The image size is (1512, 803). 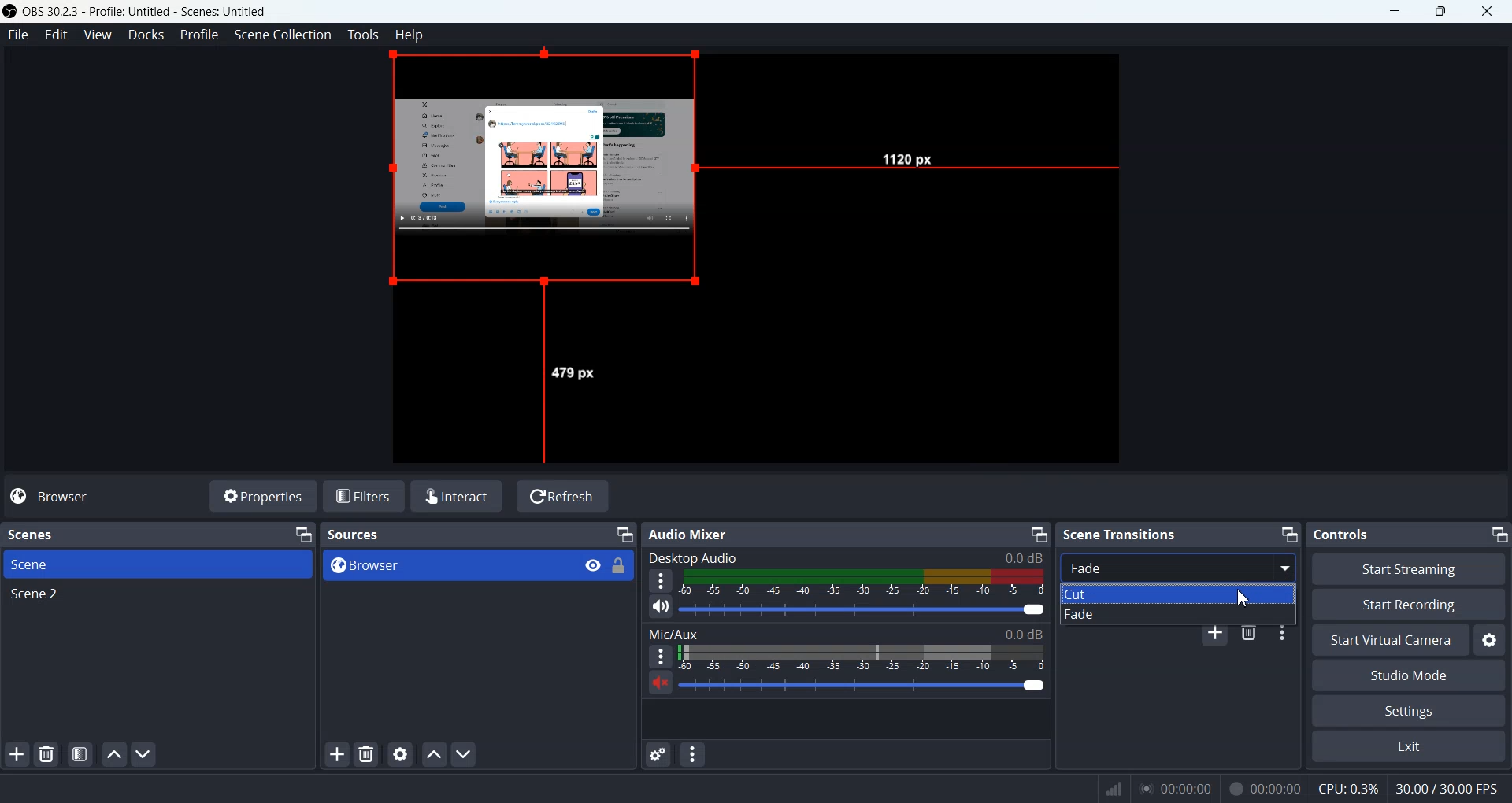 I want to click on Minimize, so click(x=1499, y=535).